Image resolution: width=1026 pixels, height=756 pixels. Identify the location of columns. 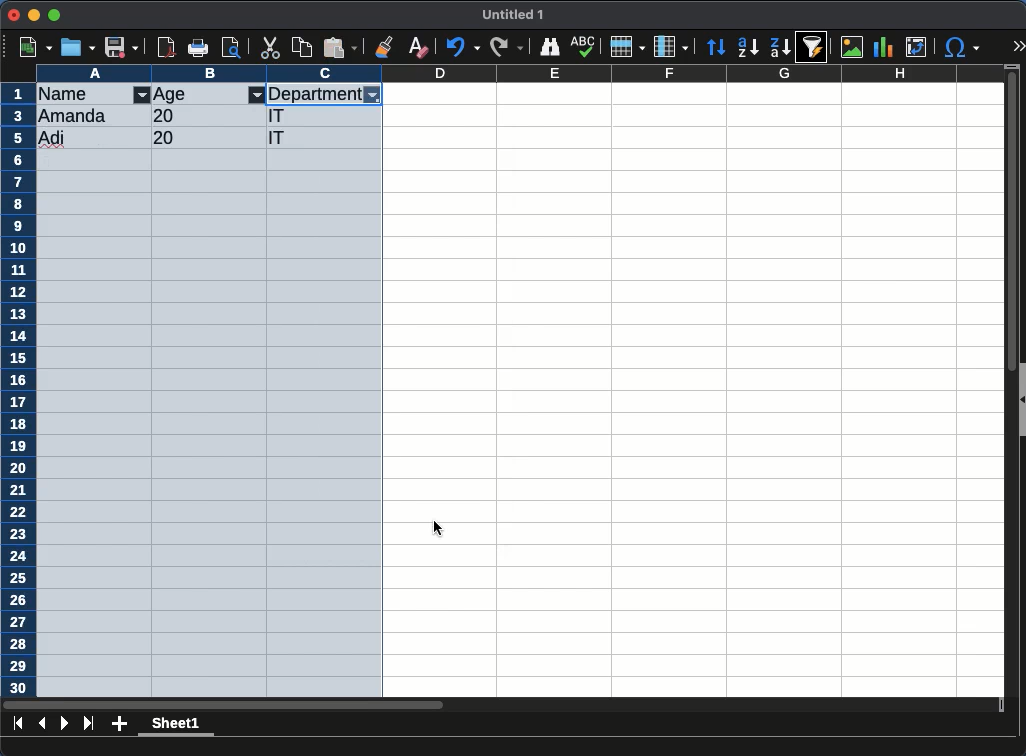
(520, 73).